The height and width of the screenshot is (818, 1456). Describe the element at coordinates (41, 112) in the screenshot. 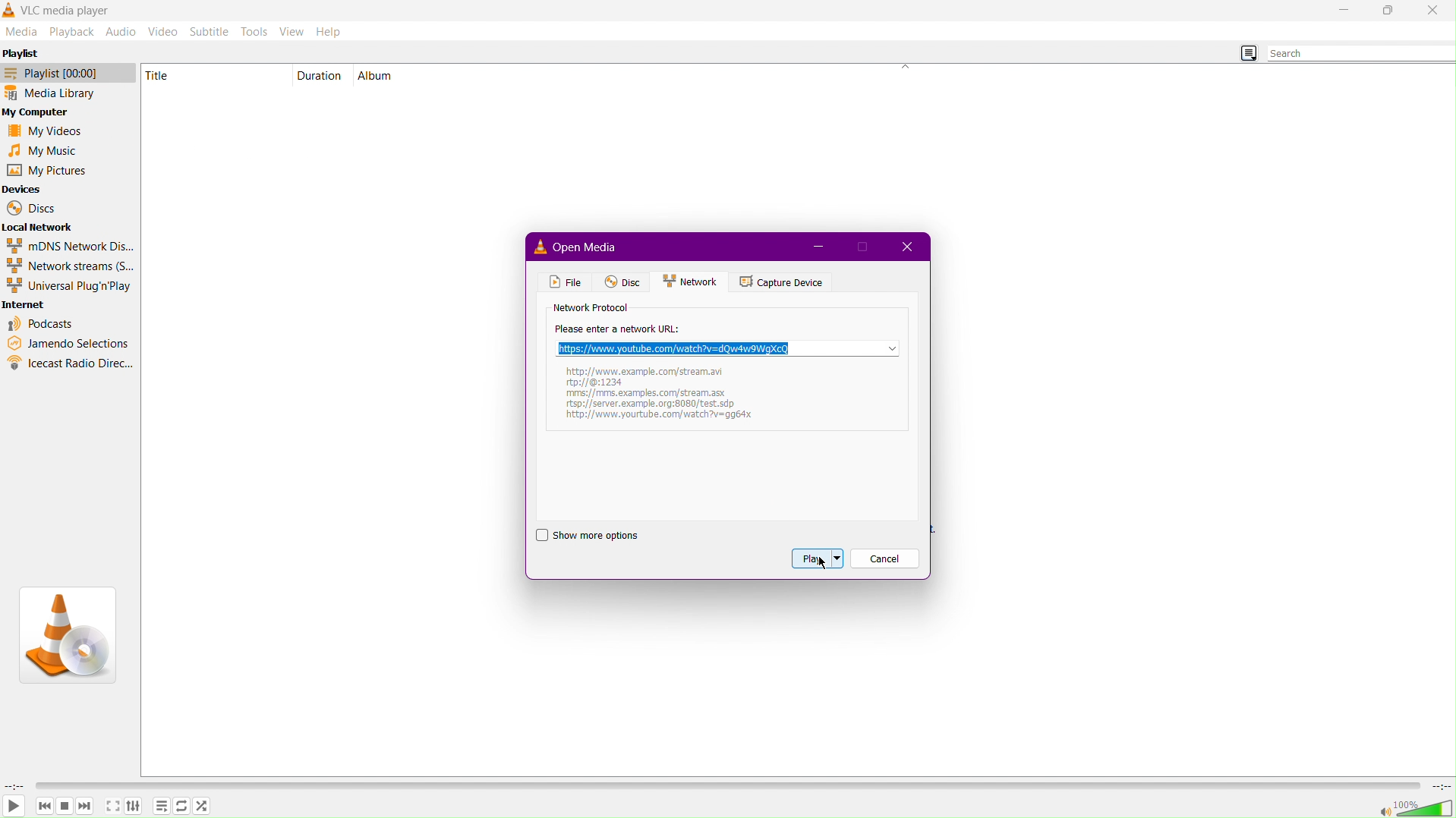

I see `My Computer` at that location.